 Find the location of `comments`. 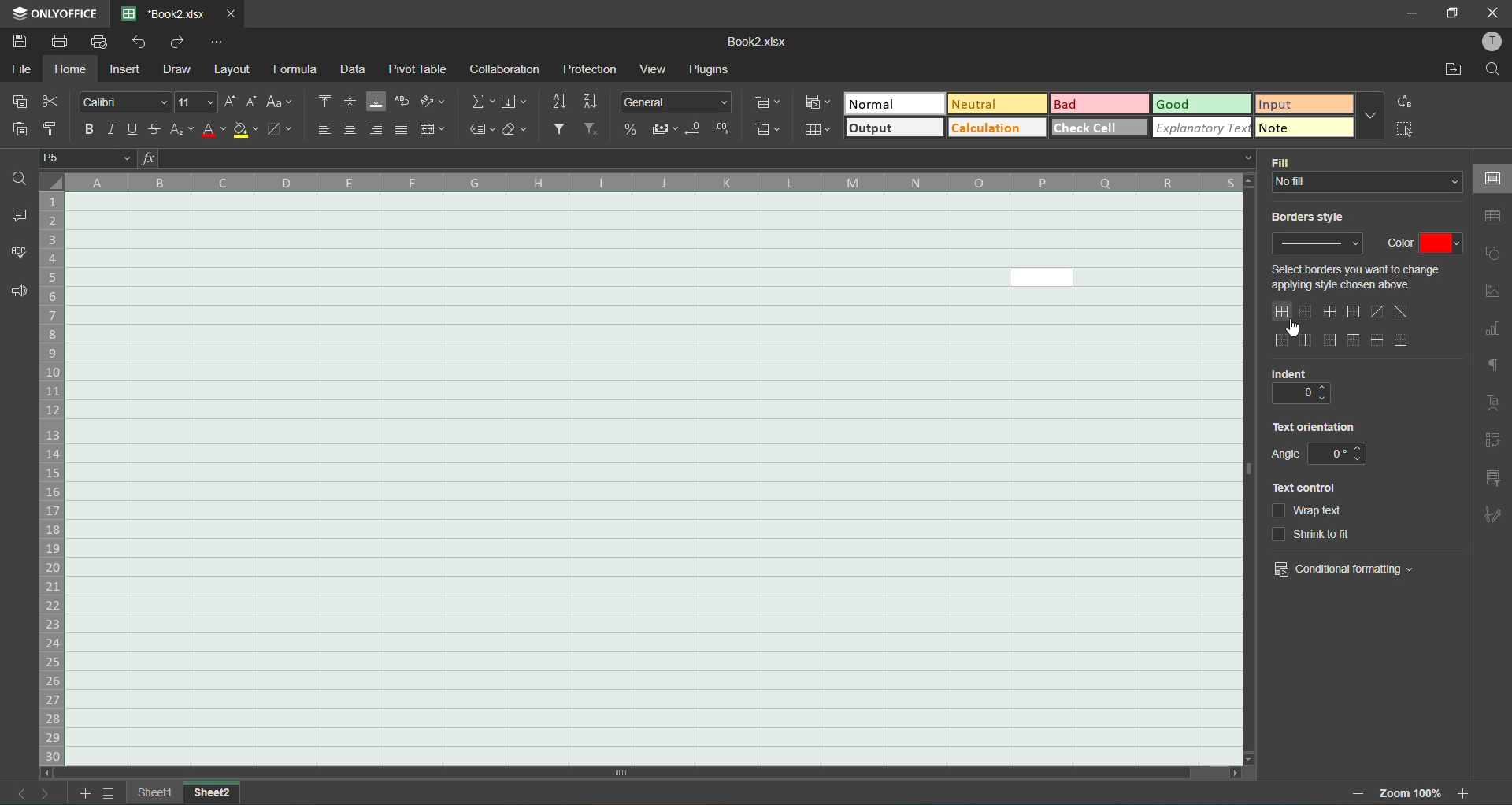

comments is located at coordinates (20, 214).